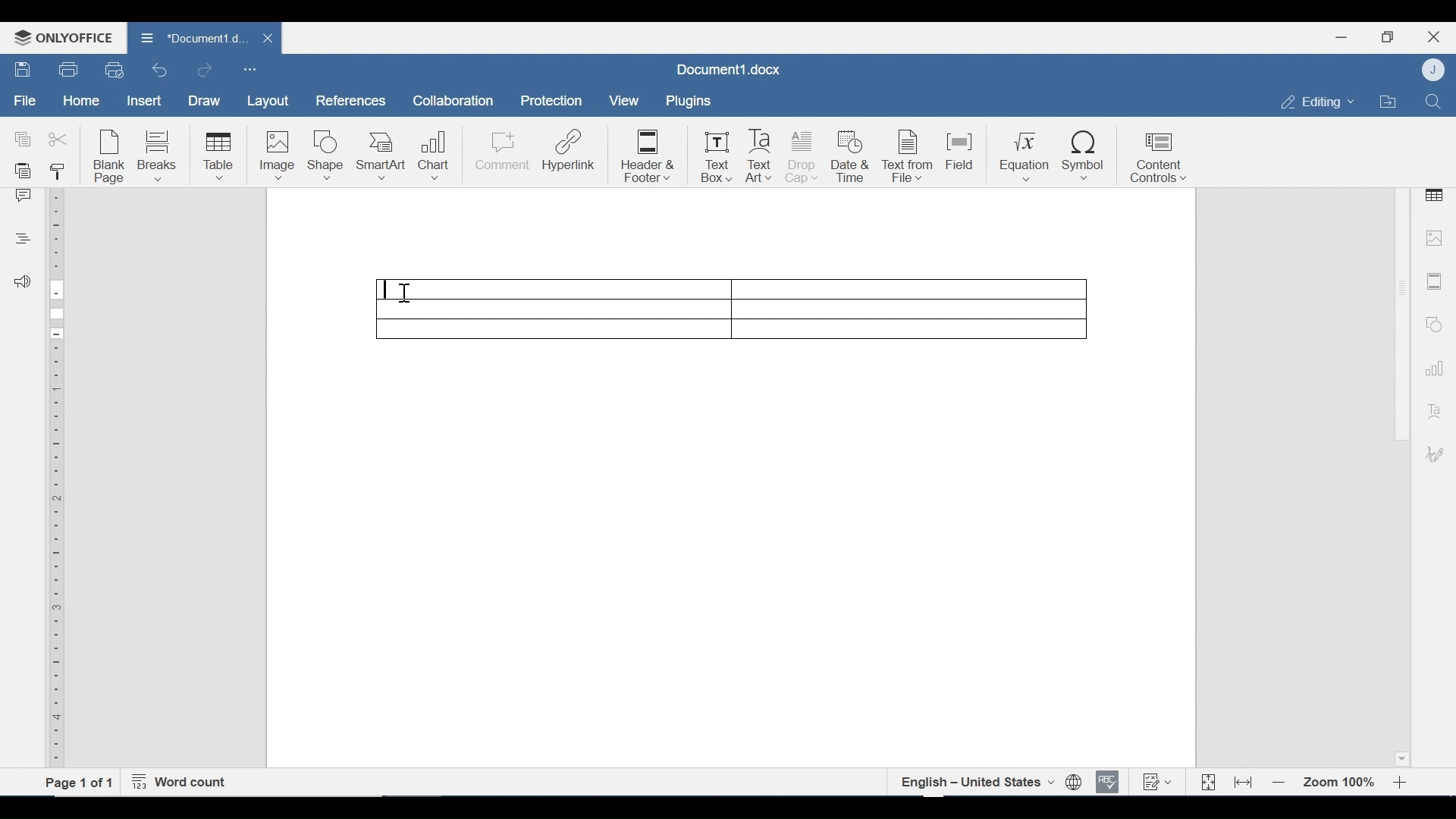  Describe the element at coordinates (26, 101) in the screenshot. I see `File` at that location.